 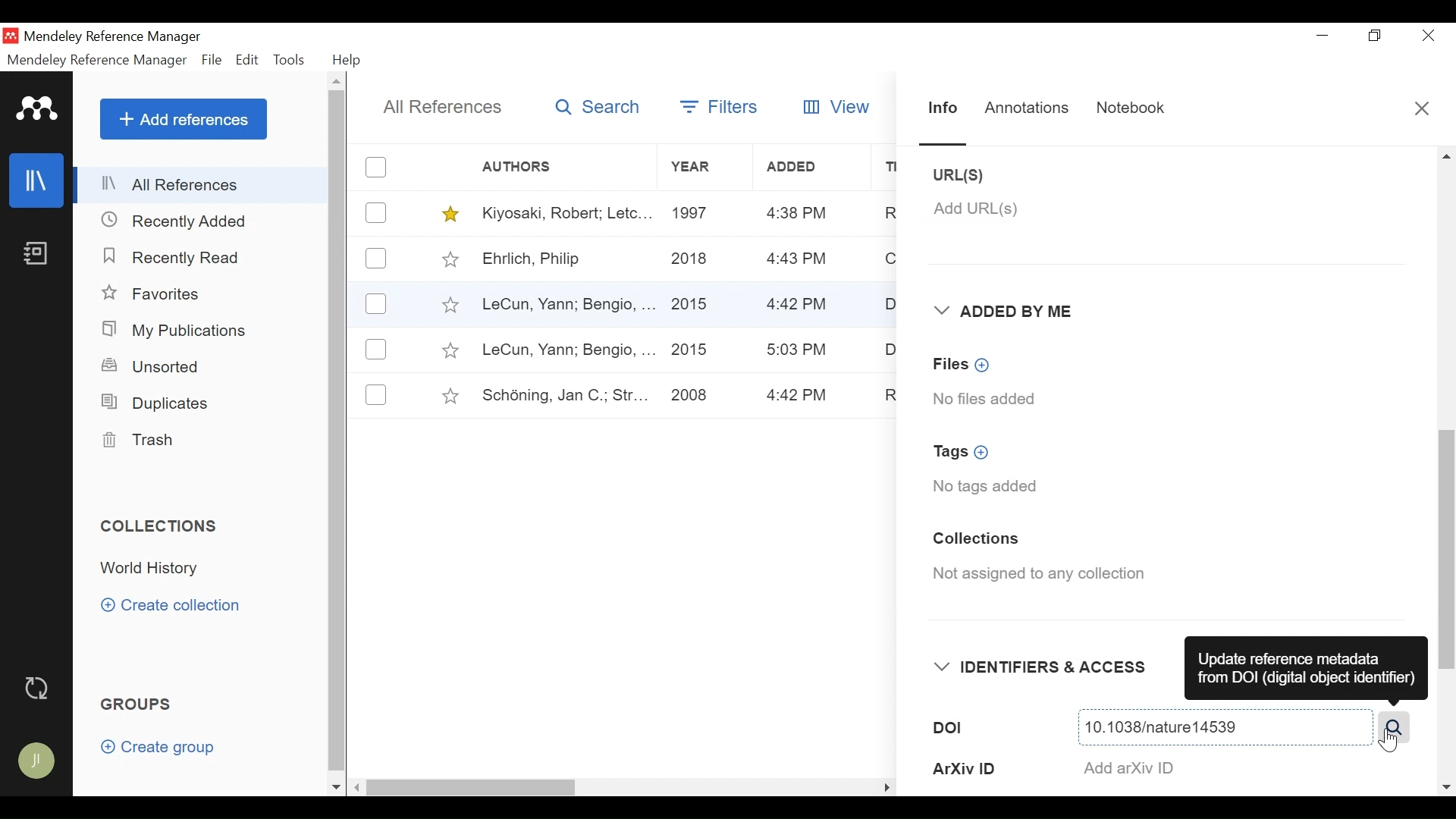 I want to click on Added, so click(x=814, y=167).